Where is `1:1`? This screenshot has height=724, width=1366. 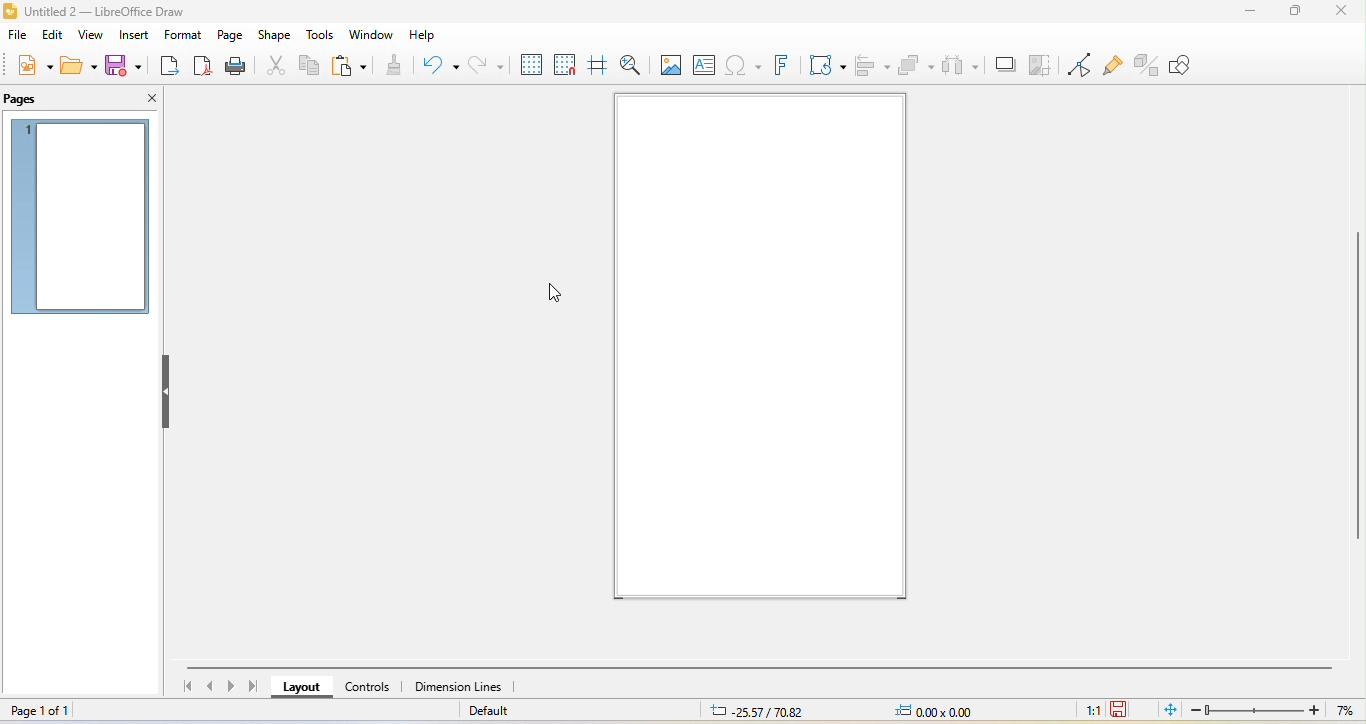 1:1 is located at coordinates (1089, 709).